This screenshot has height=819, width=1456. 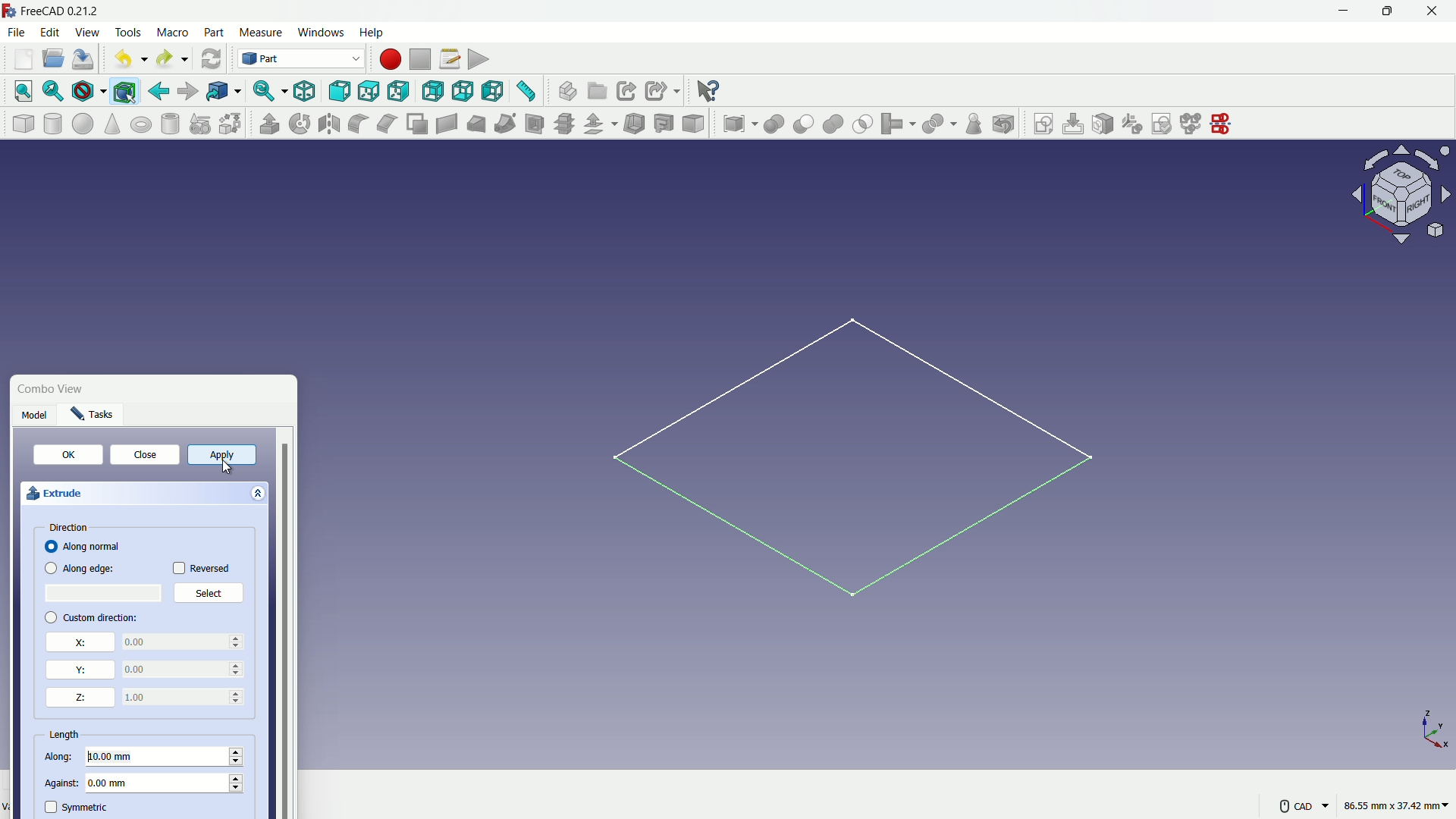 I want to click on X,Y and Z axis, so click(x=1423, y=727).